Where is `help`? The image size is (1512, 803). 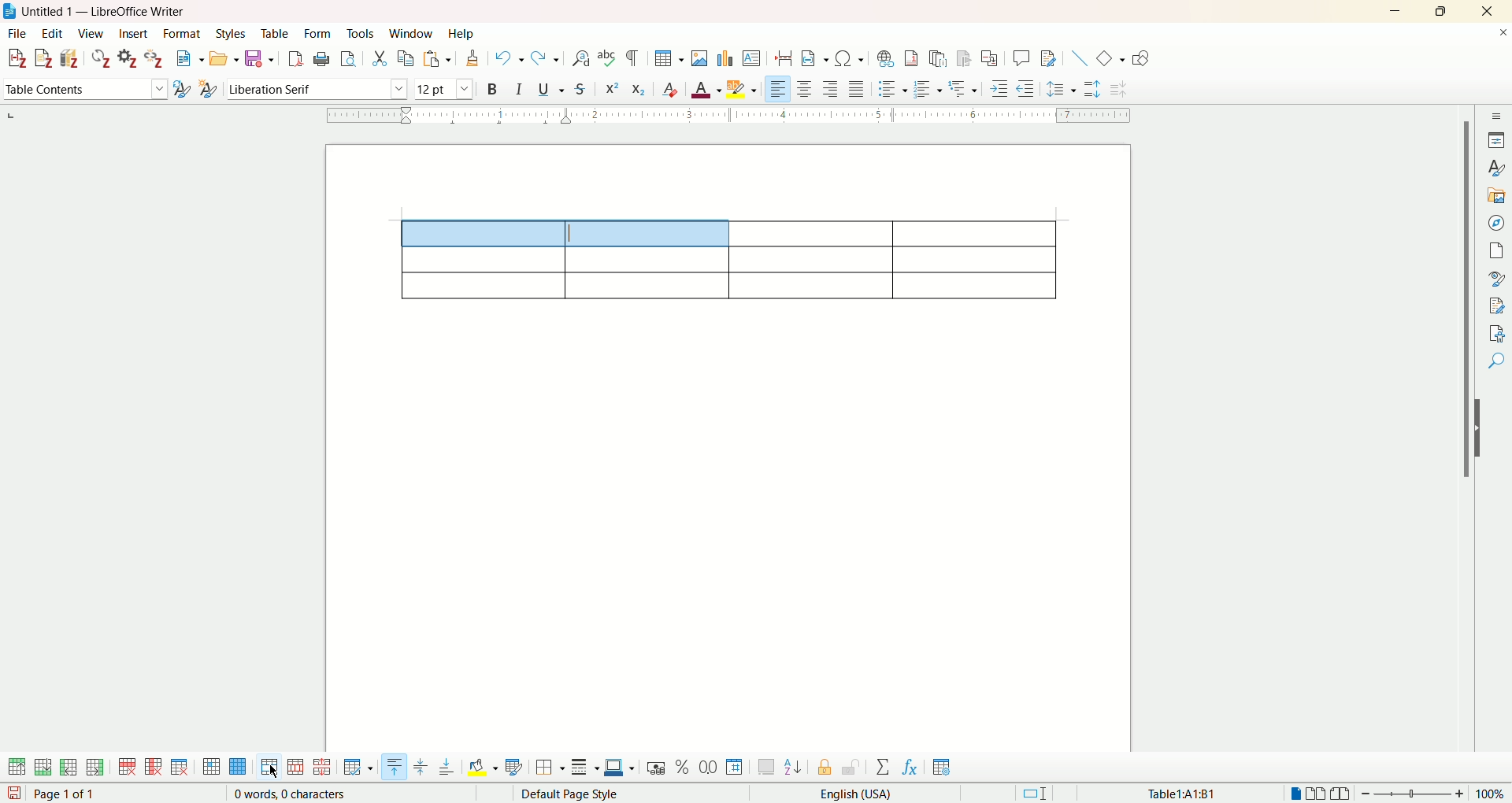 help is located at coordinates (458, 31).